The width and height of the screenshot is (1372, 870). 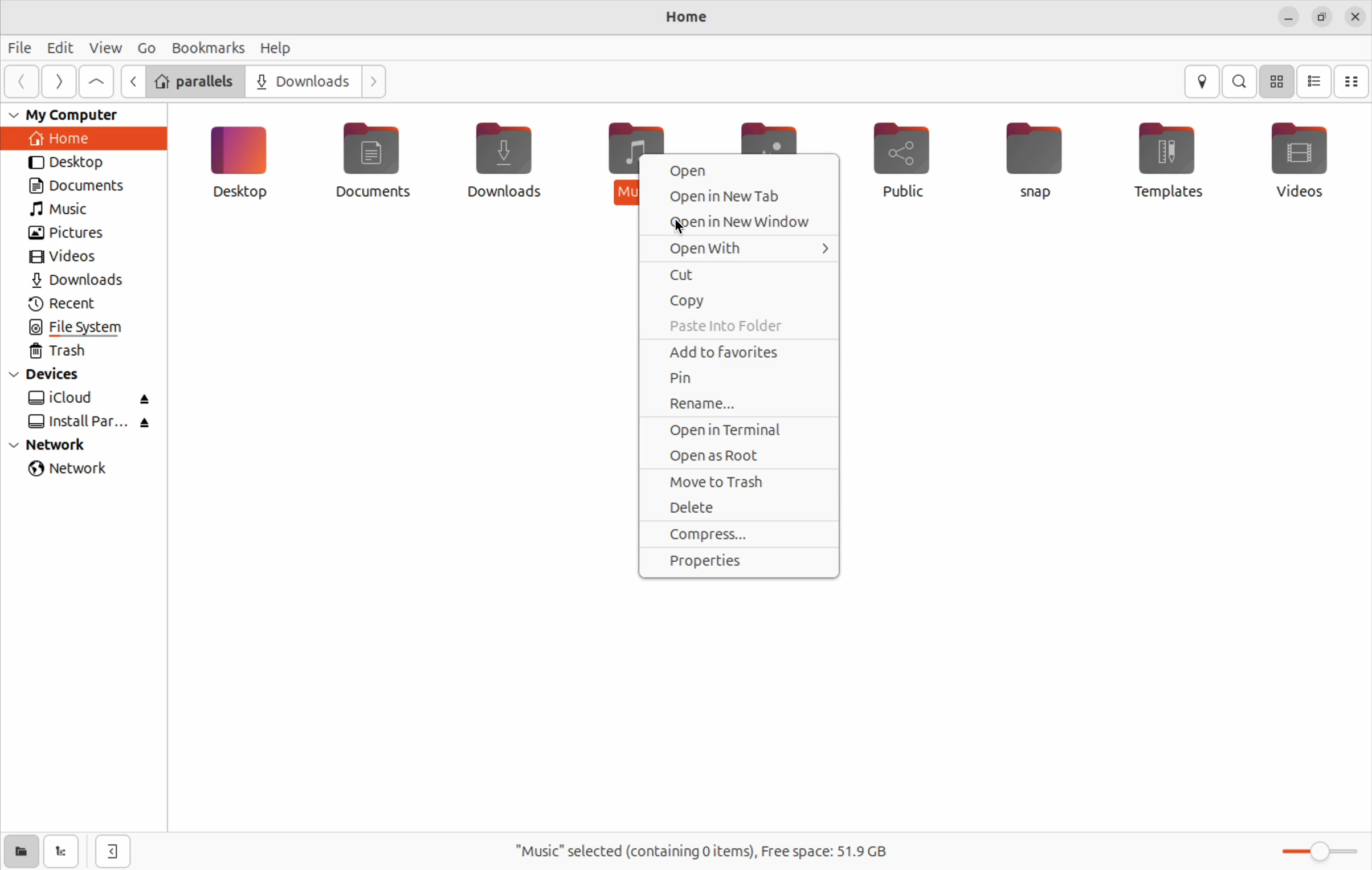 What do you see at coordinates (1357, 18) in the screenshot?
I see `close` at bounding box center [1357, 18].